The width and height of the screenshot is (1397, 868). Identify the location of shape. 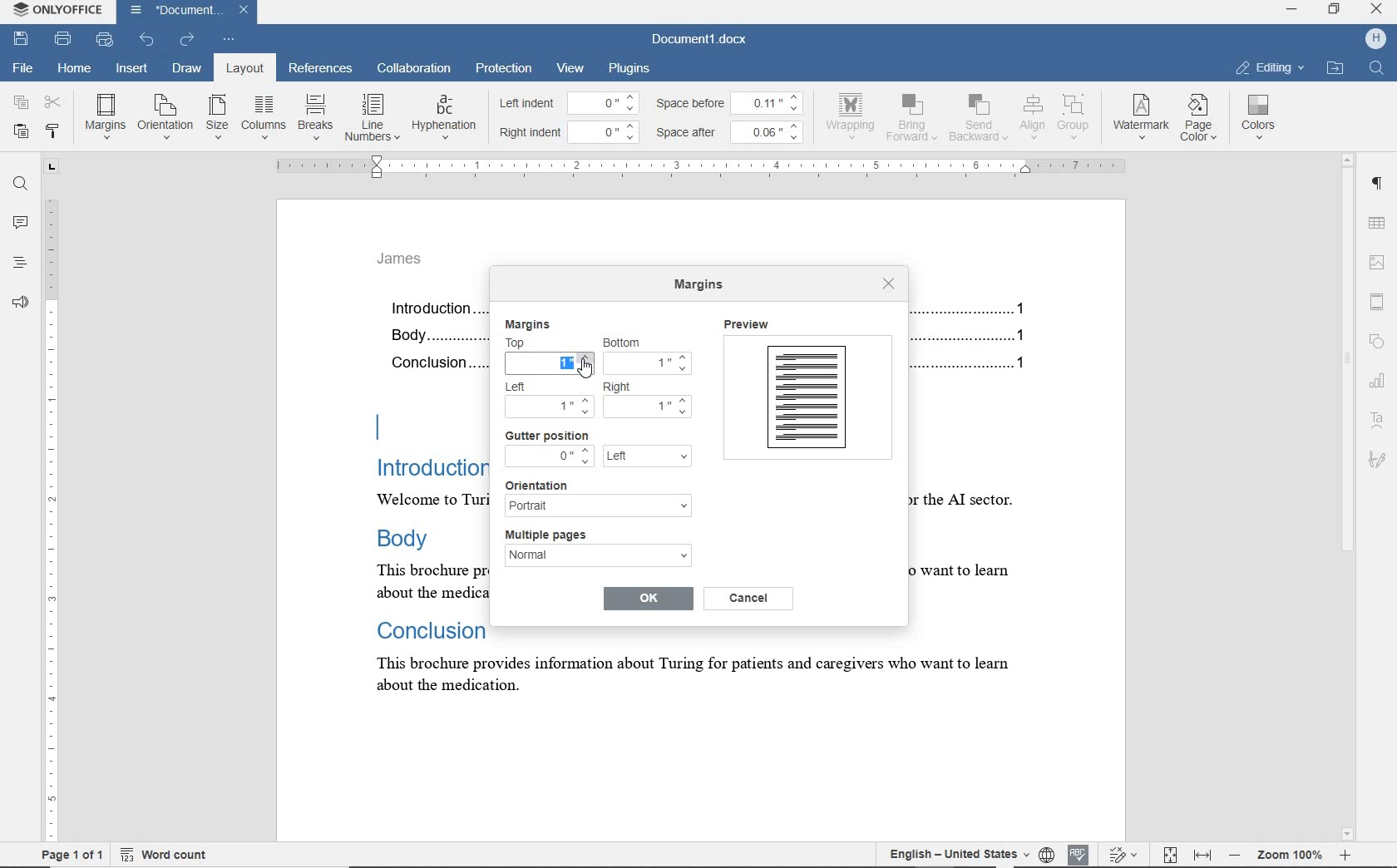
(1377, 340).